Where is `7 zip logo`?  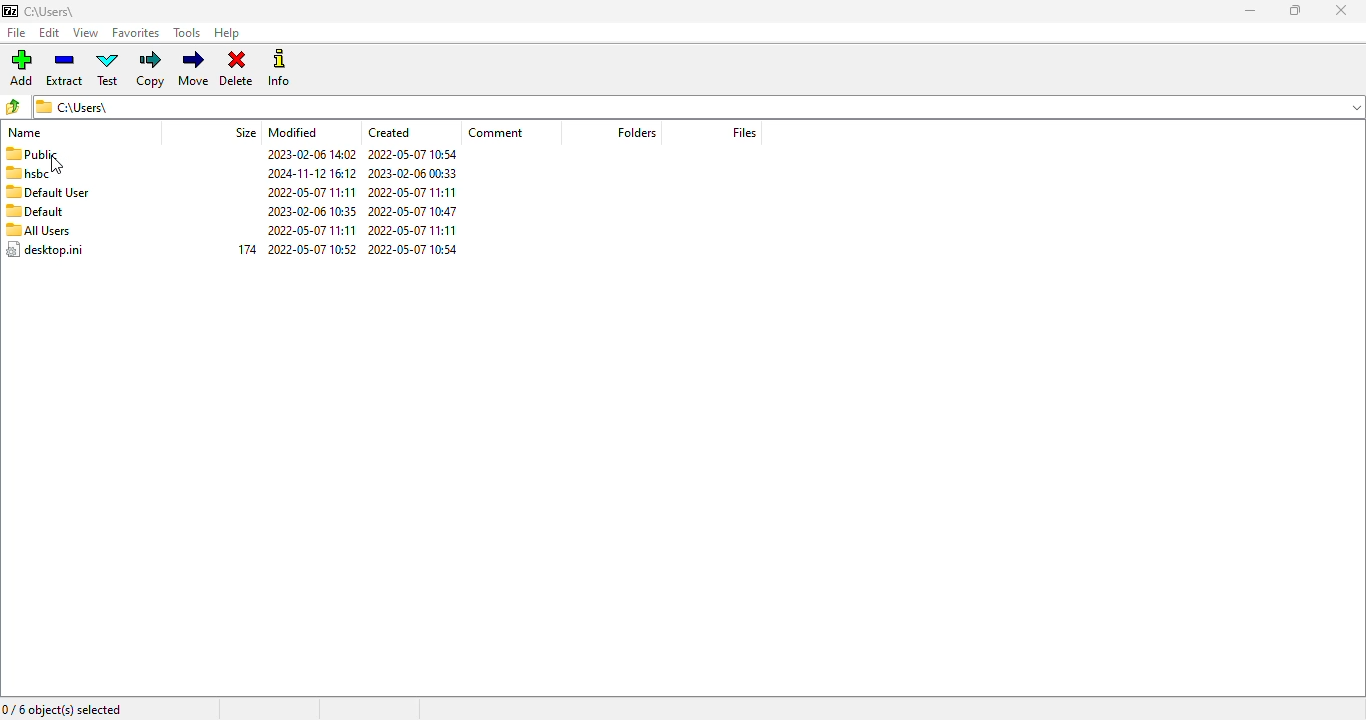 7 zip logo is located at coordinates (11, 12).